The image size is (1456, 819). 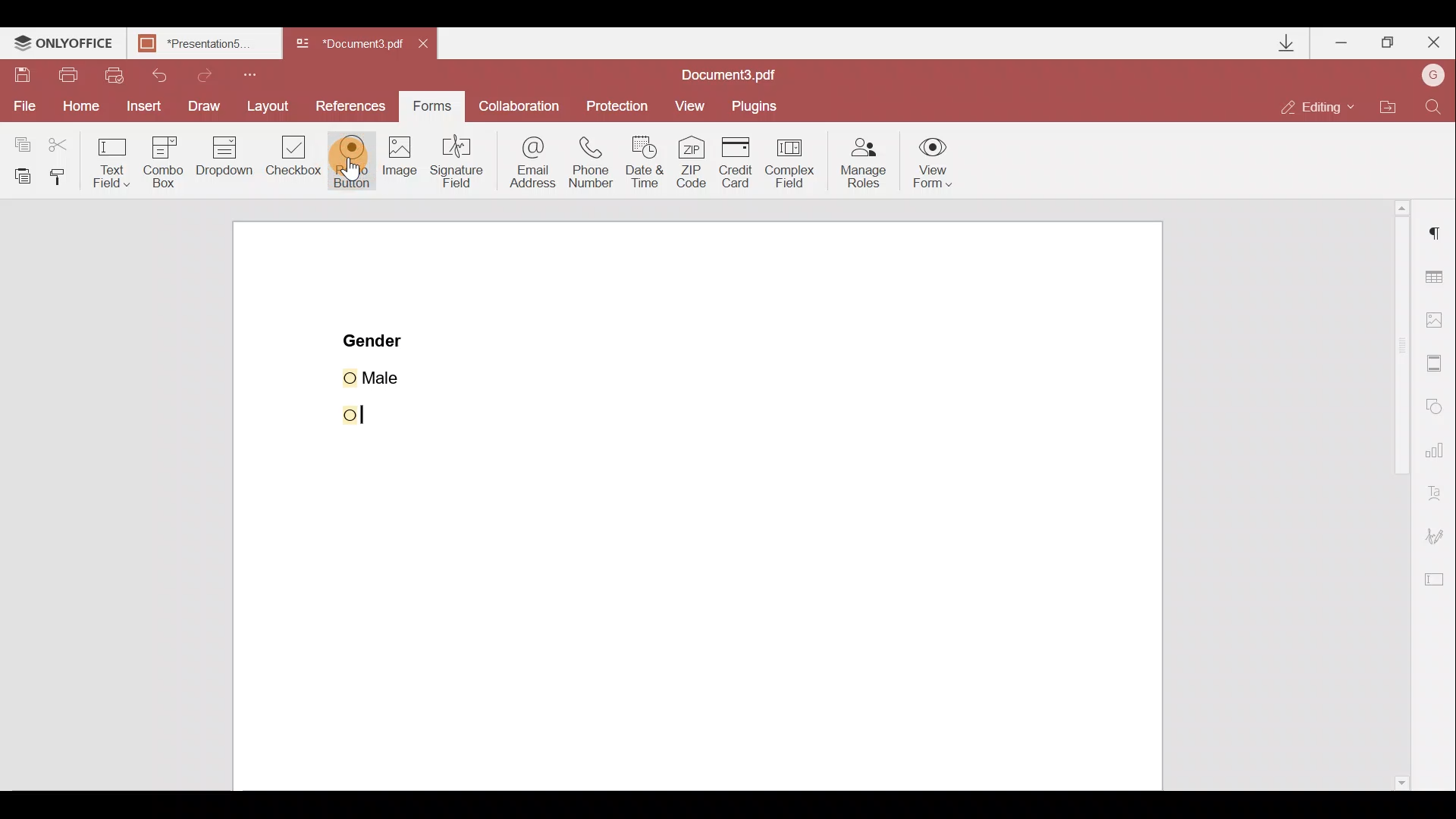 What do you see at coordinates (650, 164) in the screenshot?
I see `Date & time` at bounding box center [650, 164].